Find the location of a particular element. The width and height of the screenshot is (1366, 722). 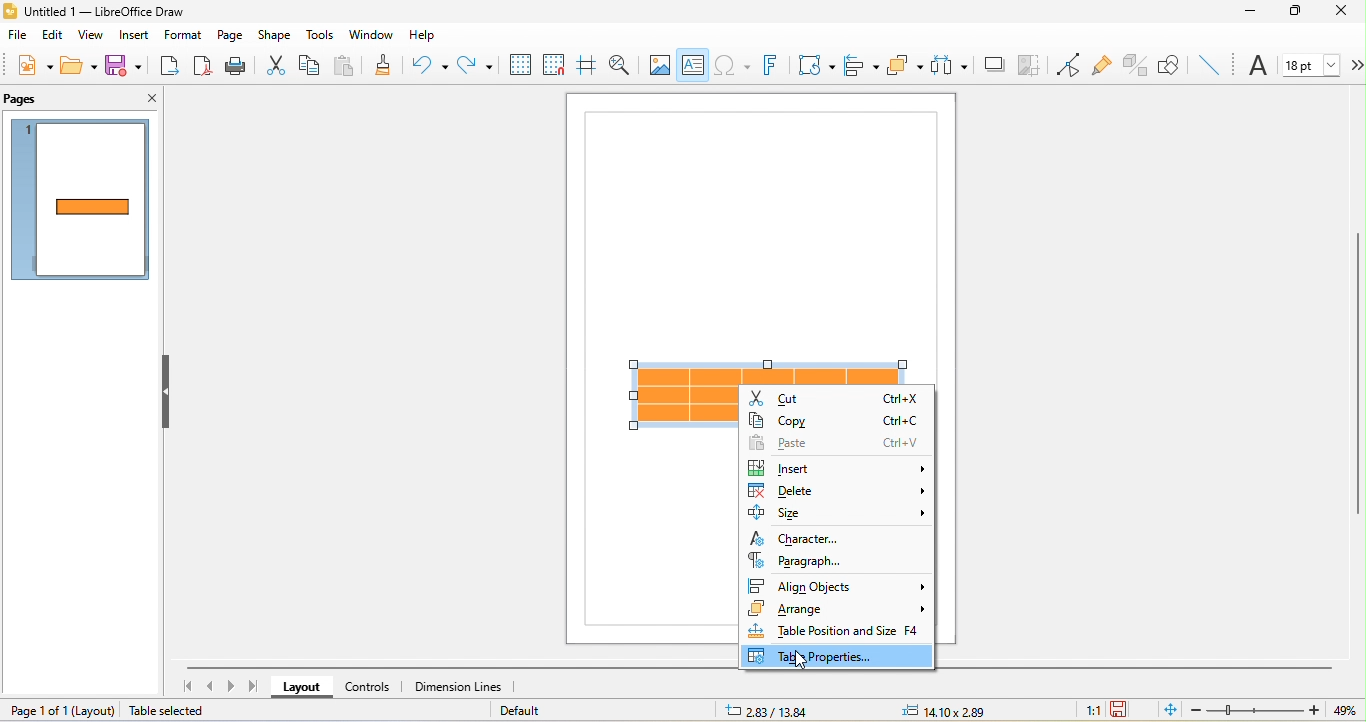

toggle point edit mode is located at coordinates (1070, 65).